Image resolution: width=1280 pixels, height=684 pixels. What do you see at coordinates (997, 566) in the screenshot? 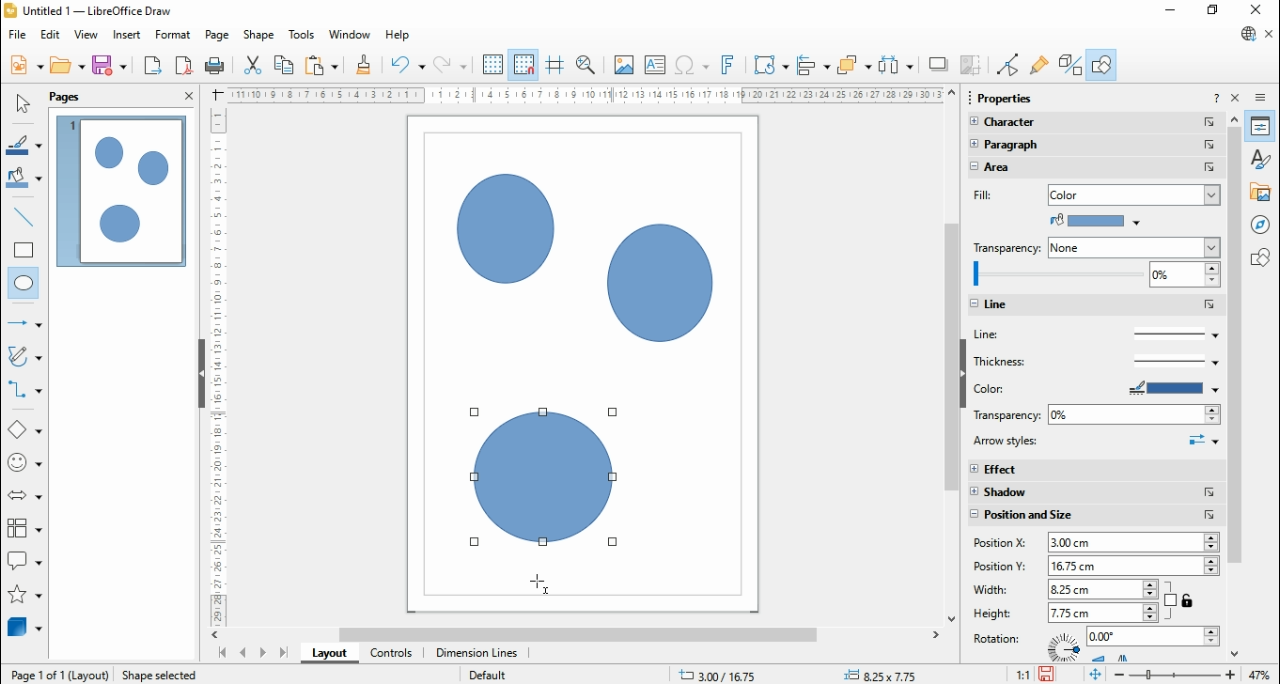
I see `position Y` at bounding box center [997, 566].